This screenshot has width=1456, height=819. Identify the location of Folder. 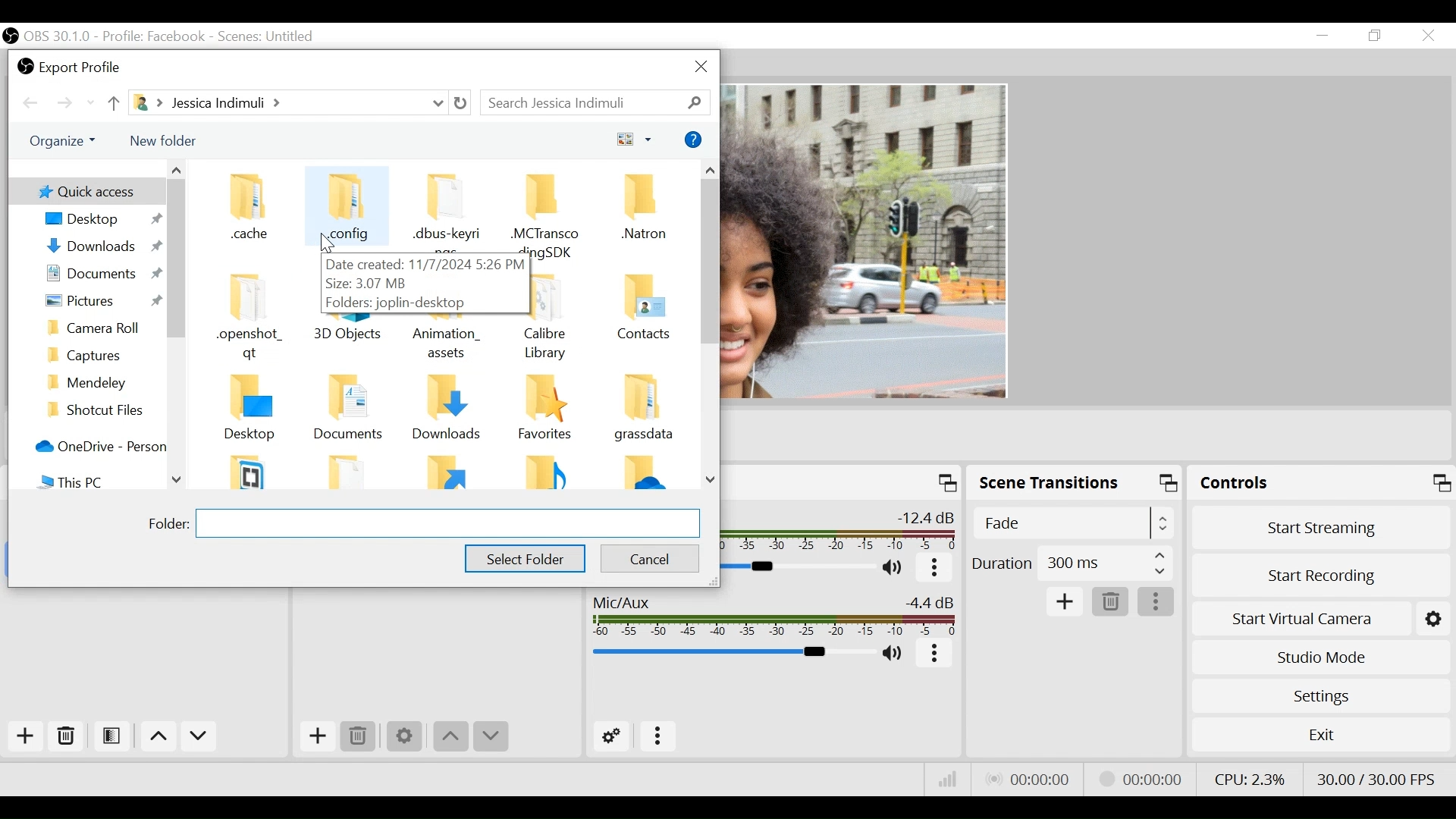
(349, 210).